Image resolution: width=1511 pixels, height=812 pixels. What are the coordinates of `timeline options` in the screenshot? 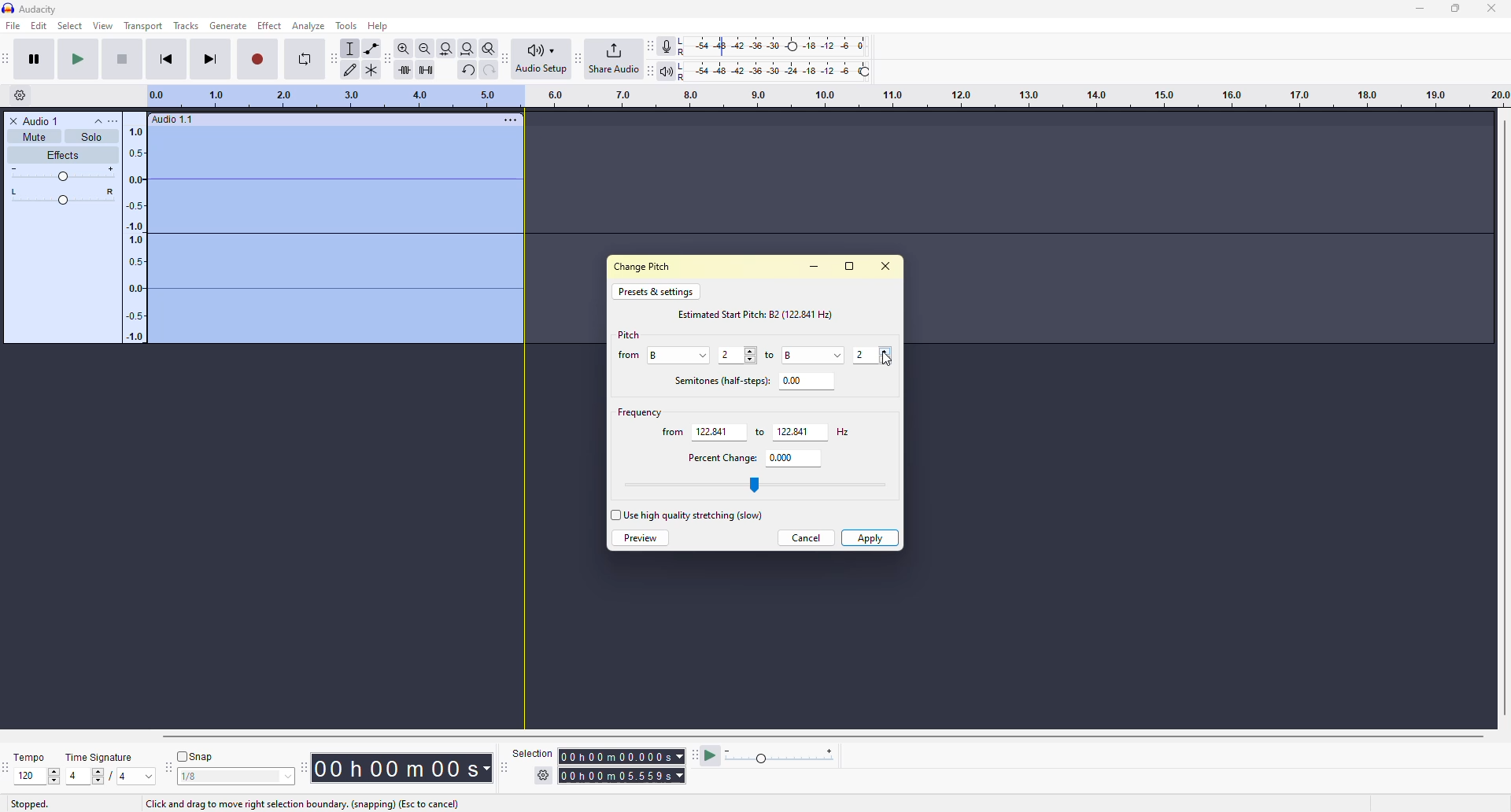 It's located at (20, 94).